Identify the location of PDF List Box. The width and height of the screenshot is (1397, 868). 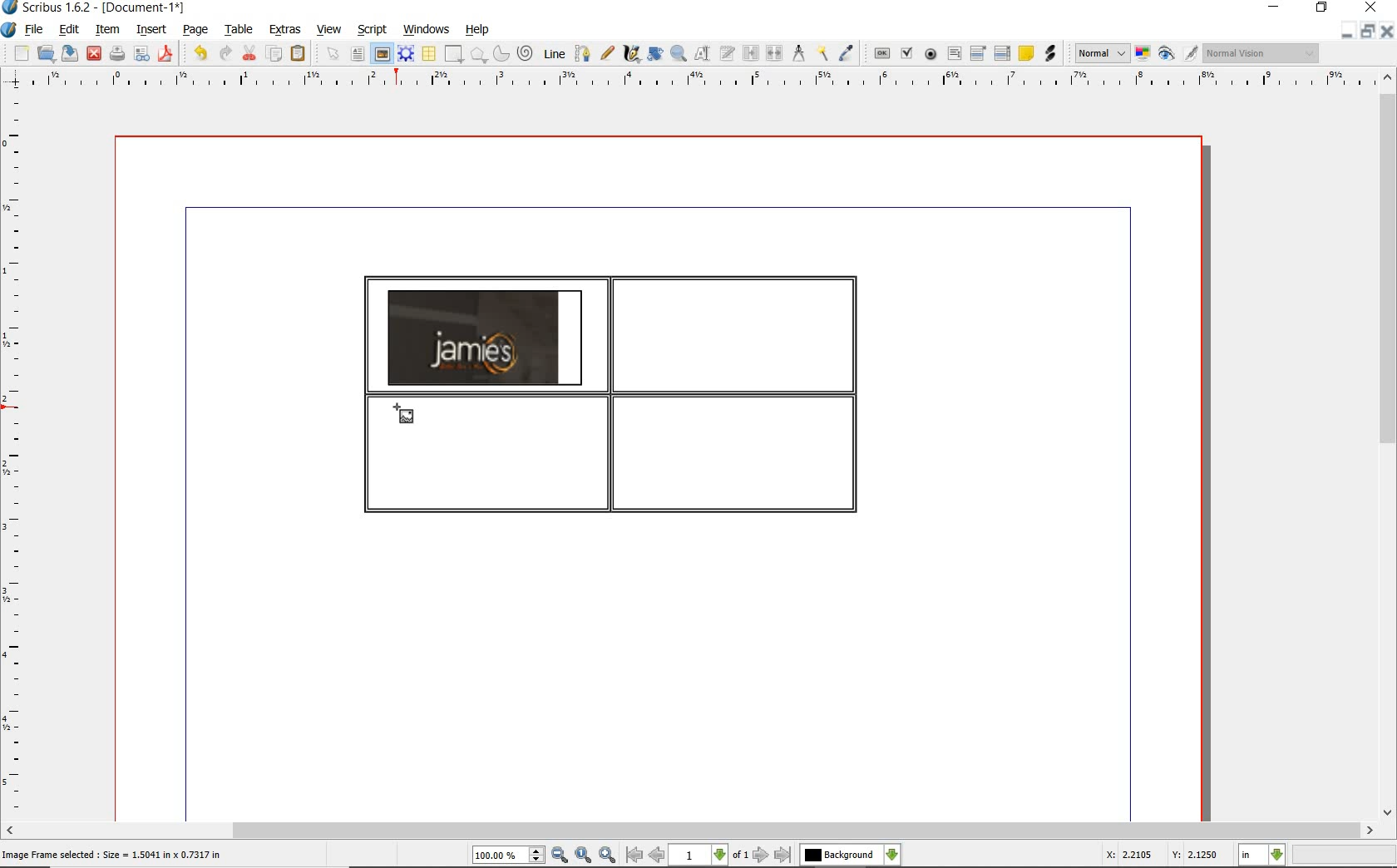
(1002, 53).